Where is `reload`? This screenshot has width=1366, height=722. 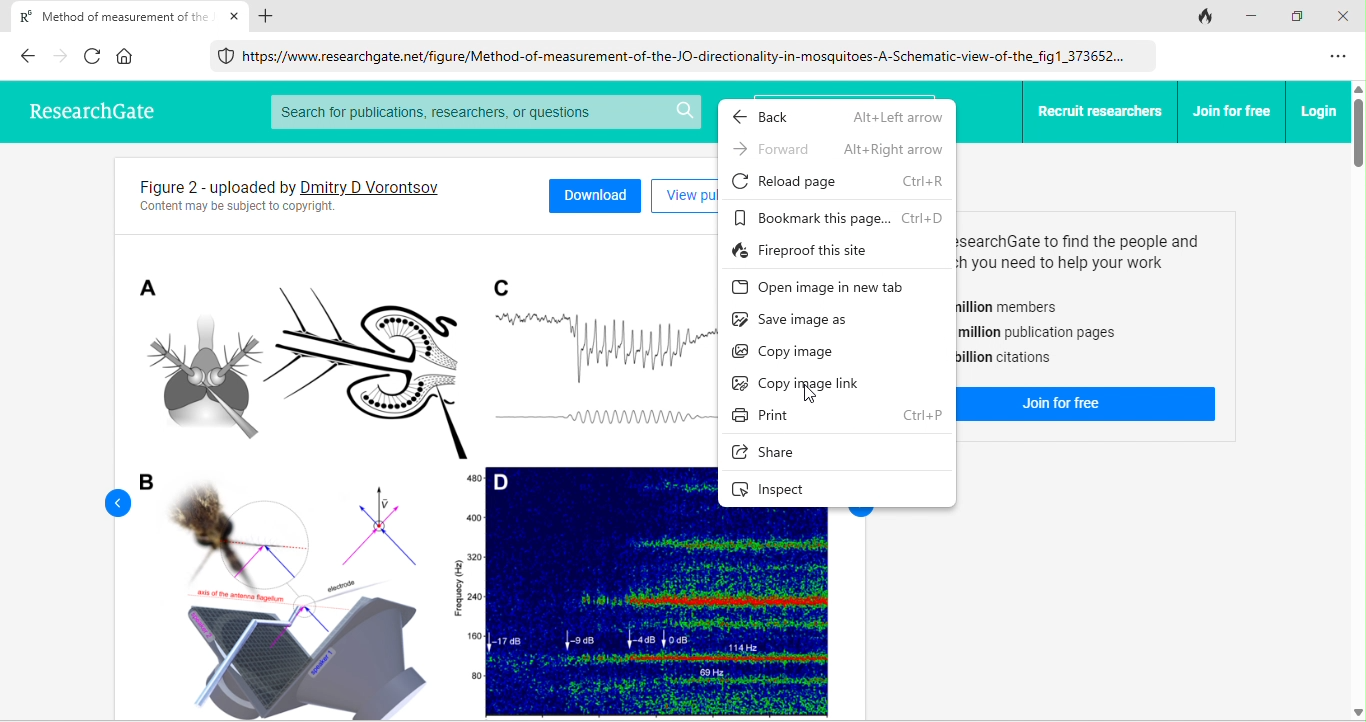
reload is located at coordinates (95, 55).